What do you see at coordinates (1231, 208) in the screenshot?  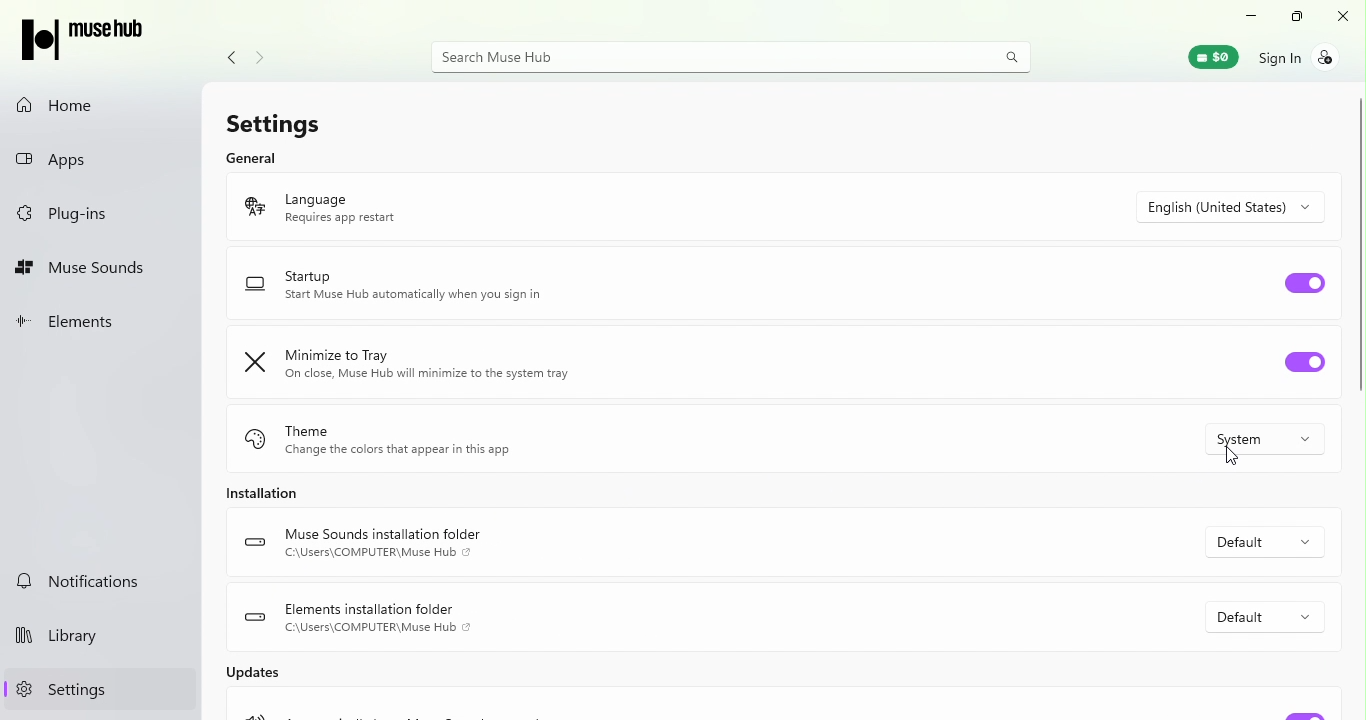 I see `Drop down menu` at bounding box center [1231, 208].